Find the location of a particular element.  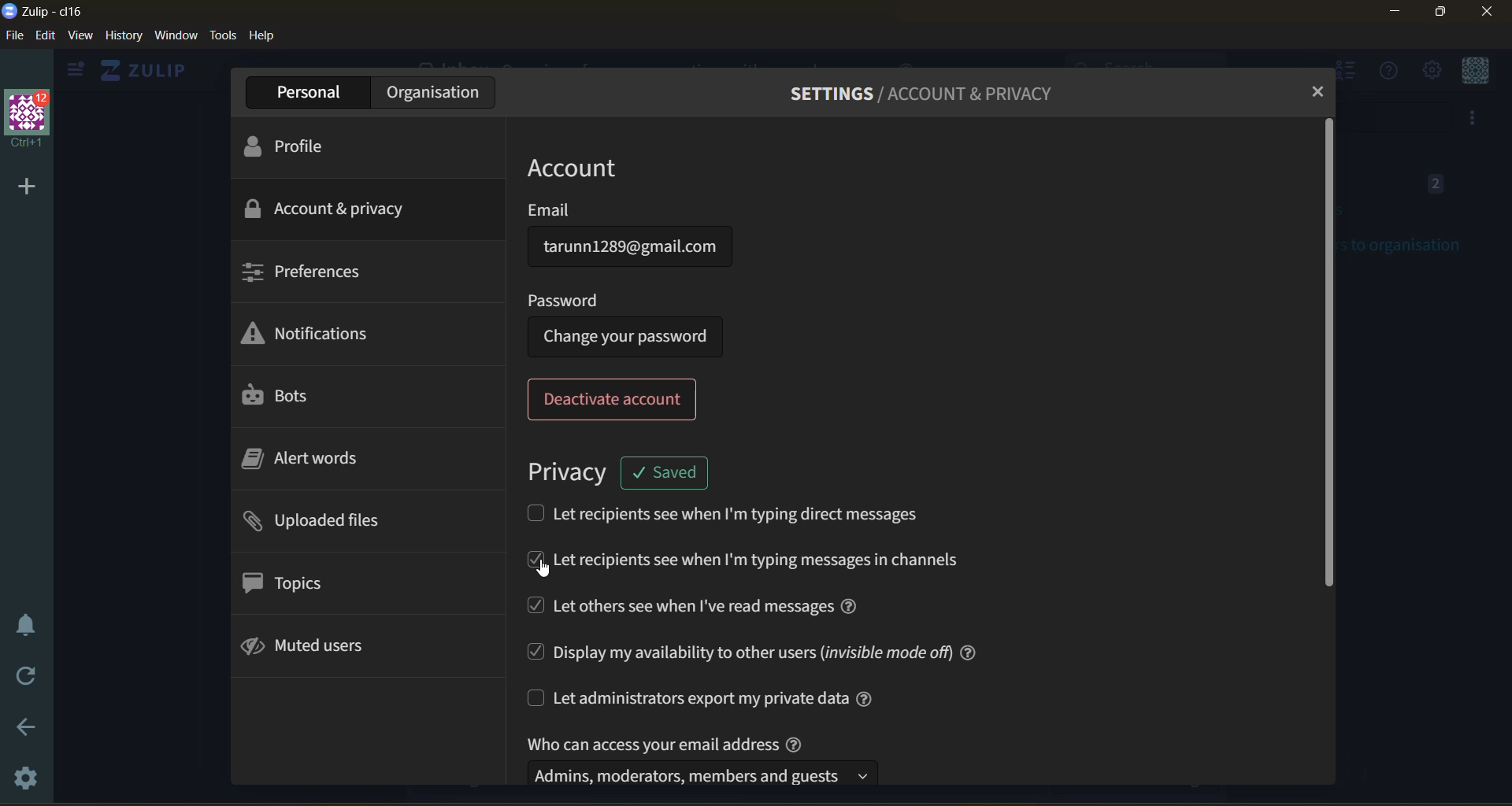

go back is located at coordinates (28, 733).